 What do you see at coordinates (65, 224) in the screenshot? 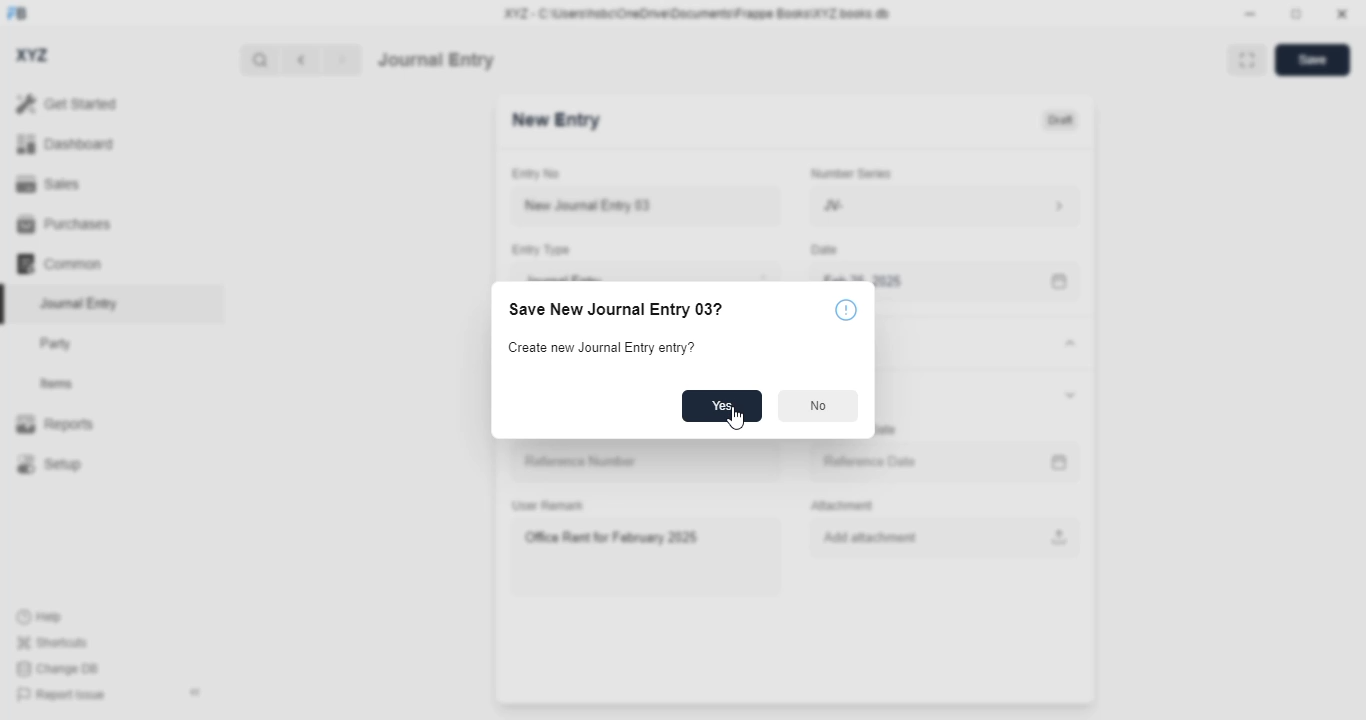
I see `purchases` at bounding box center [65, 224].